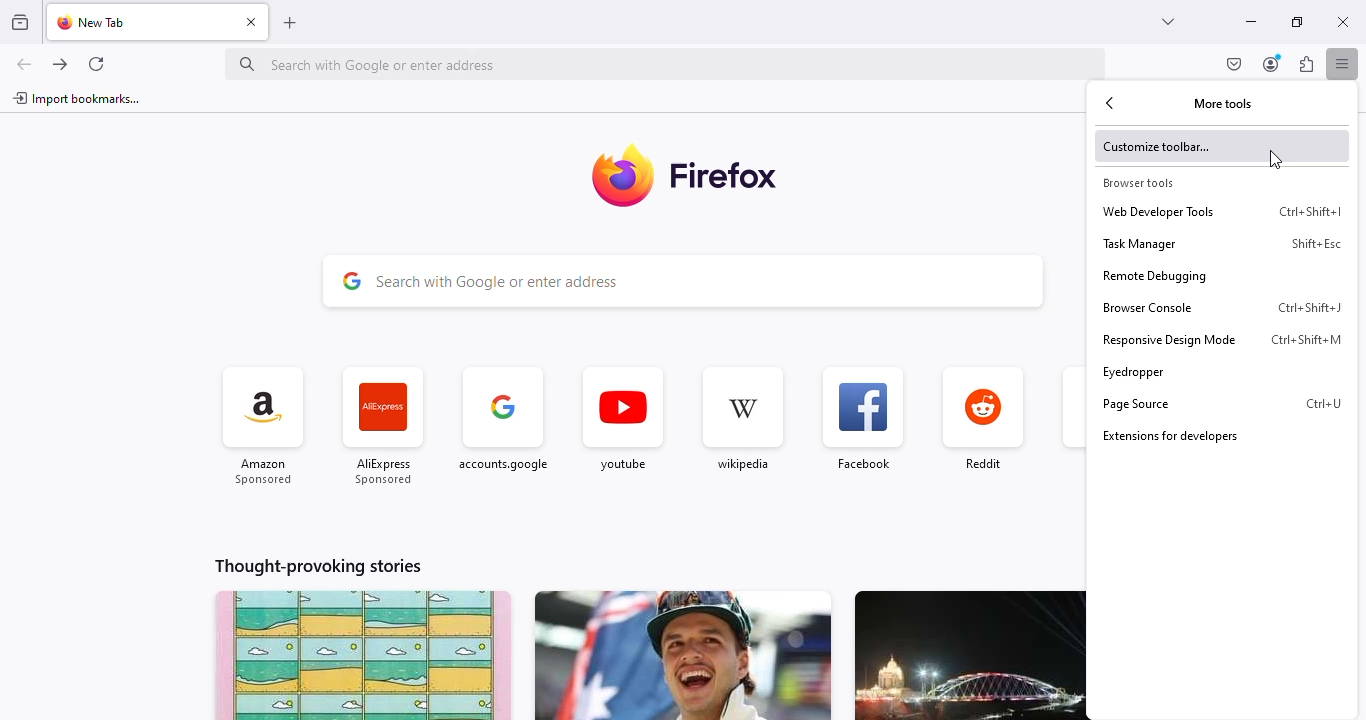 This screenshot has height=720, width=1366. I want to click on maximize, so click(1298, 22).